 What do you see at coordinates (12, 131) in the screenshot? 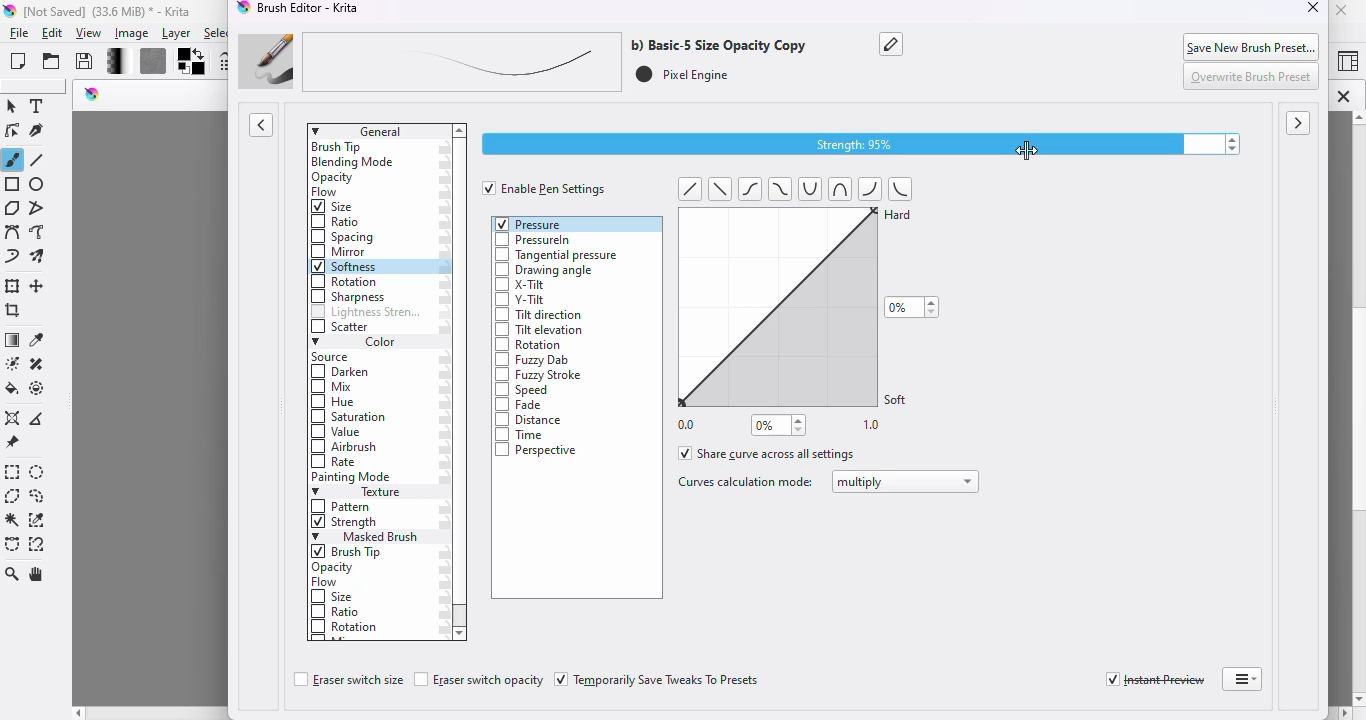
I see `edit shapes tool` at bounding box center [12, 131].